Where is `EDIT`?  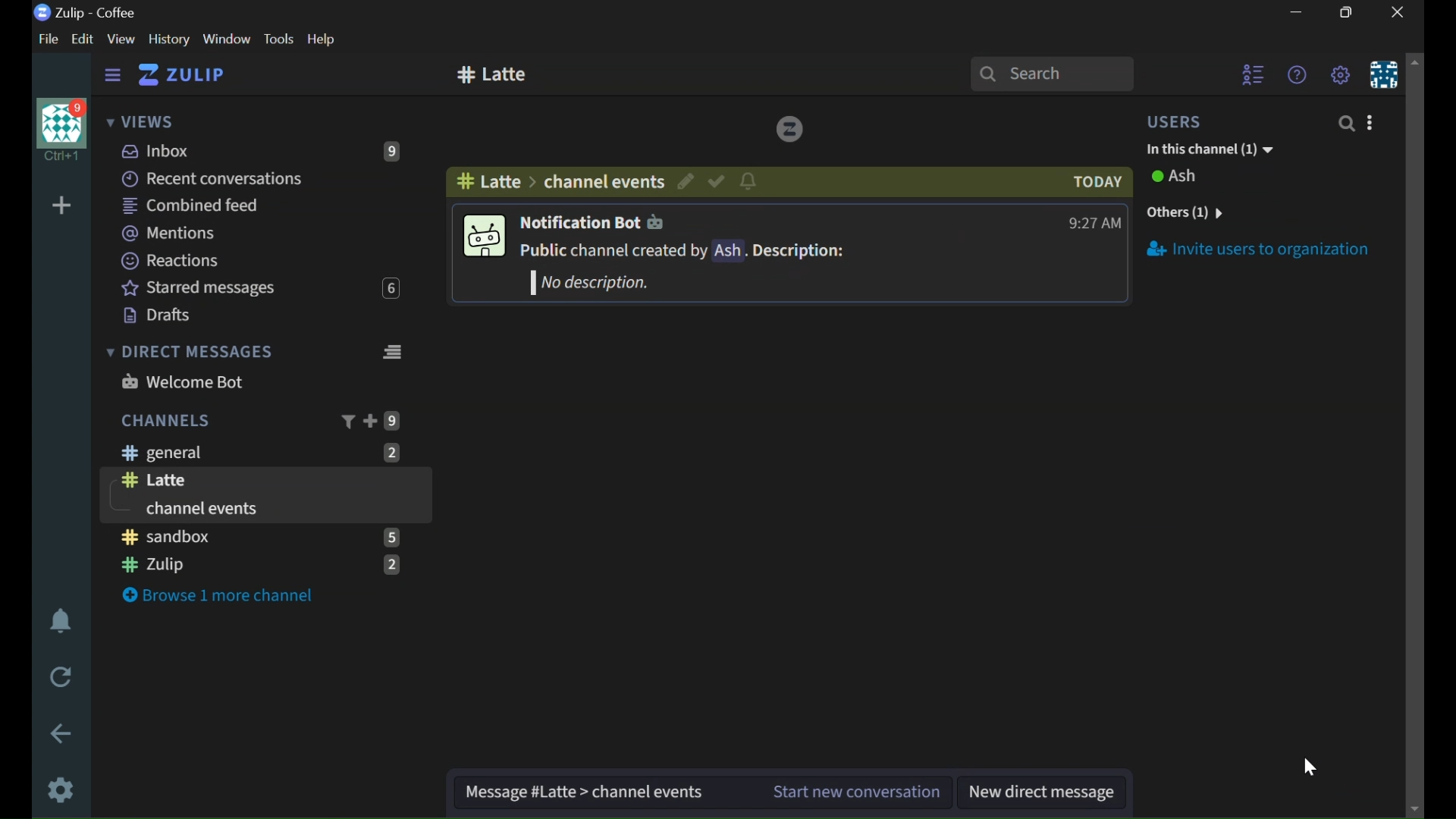
EDIT is located at coordinates (86, 39).